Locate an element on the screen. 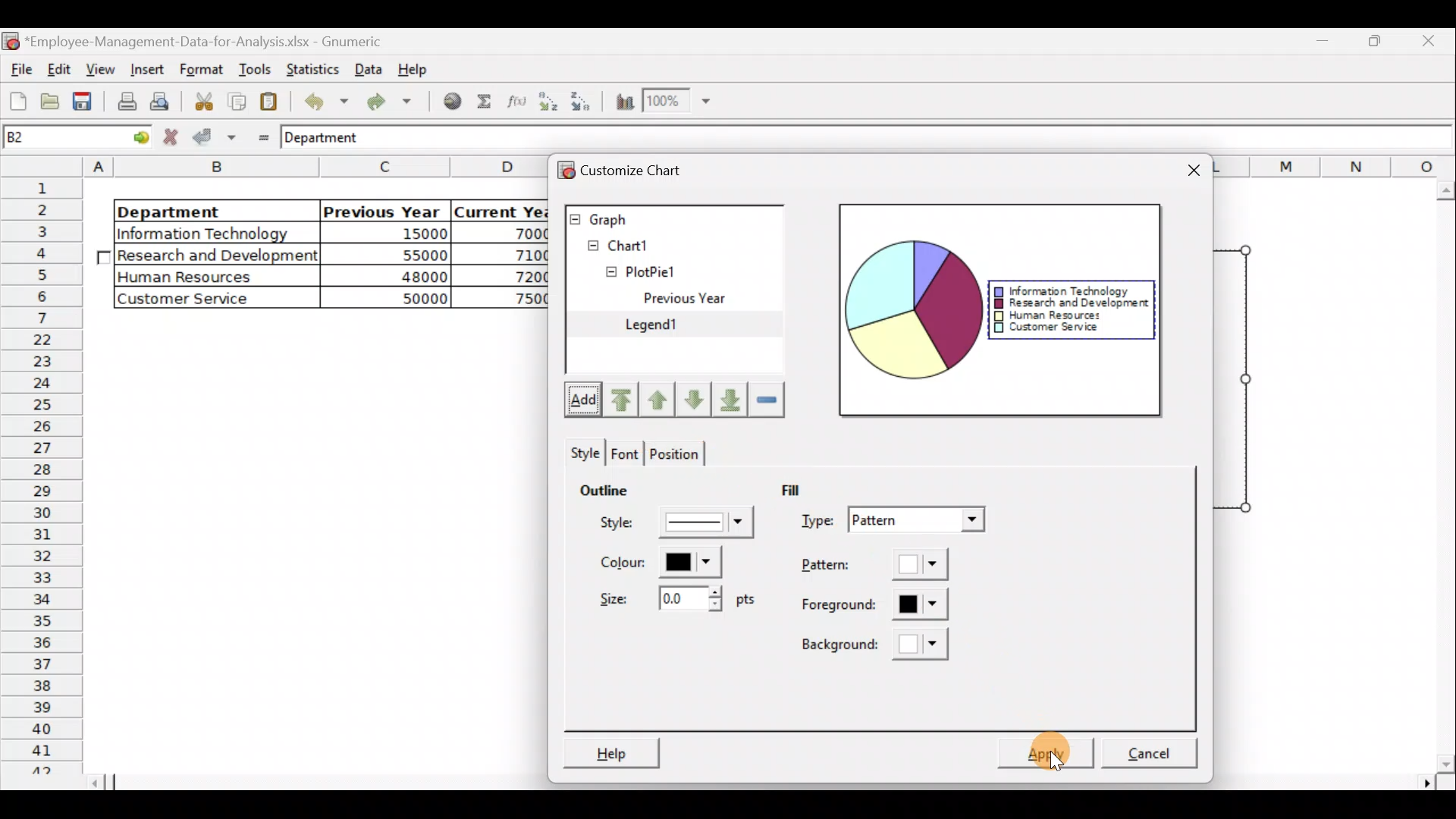 The image size is (1456, 819). Scroll bar is located at coordinates (1442, 477).